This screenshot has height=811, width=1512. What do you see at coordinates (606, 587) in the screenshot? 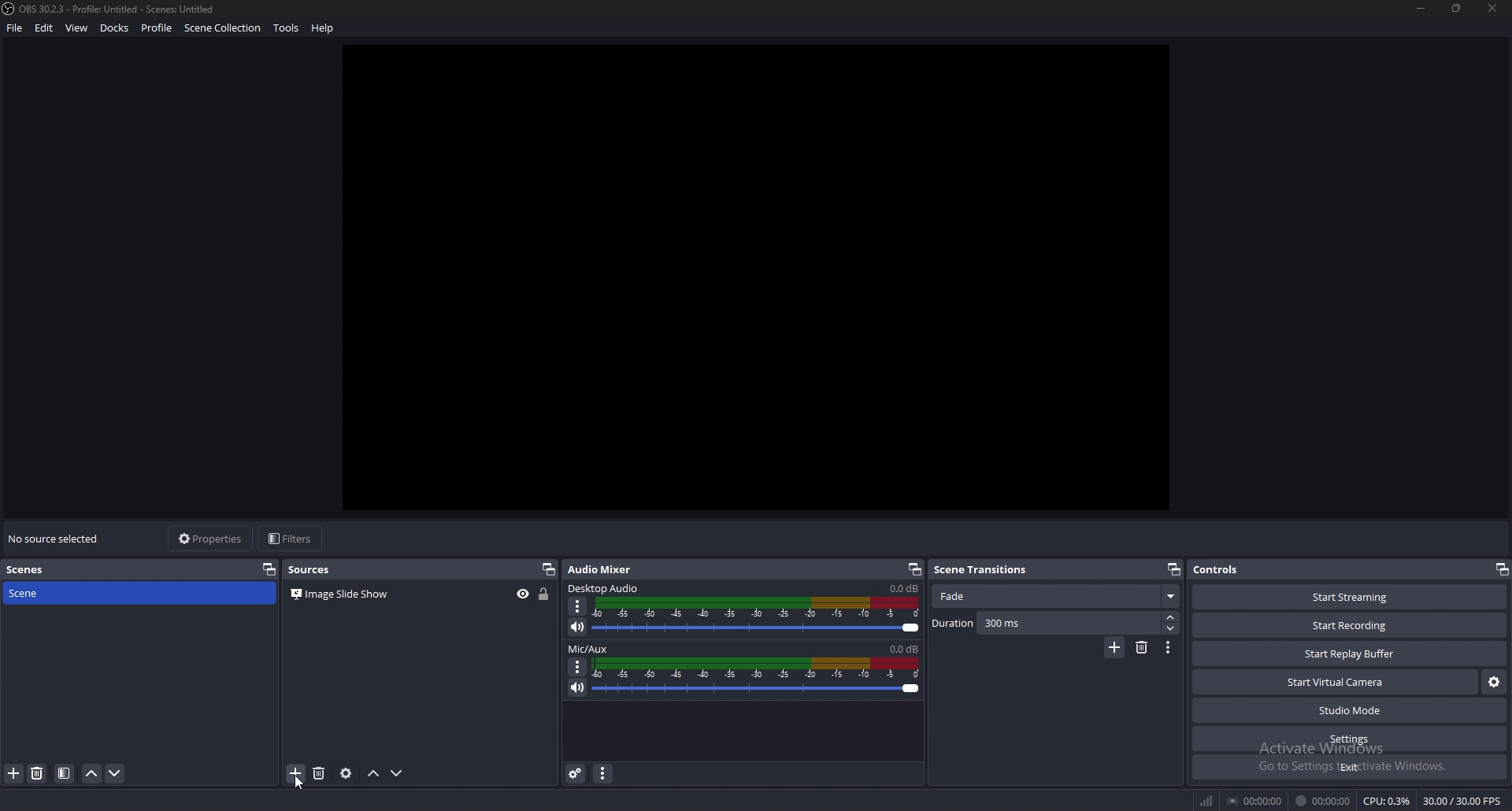
I see `desktop audio` at bounding box center [606, 587].